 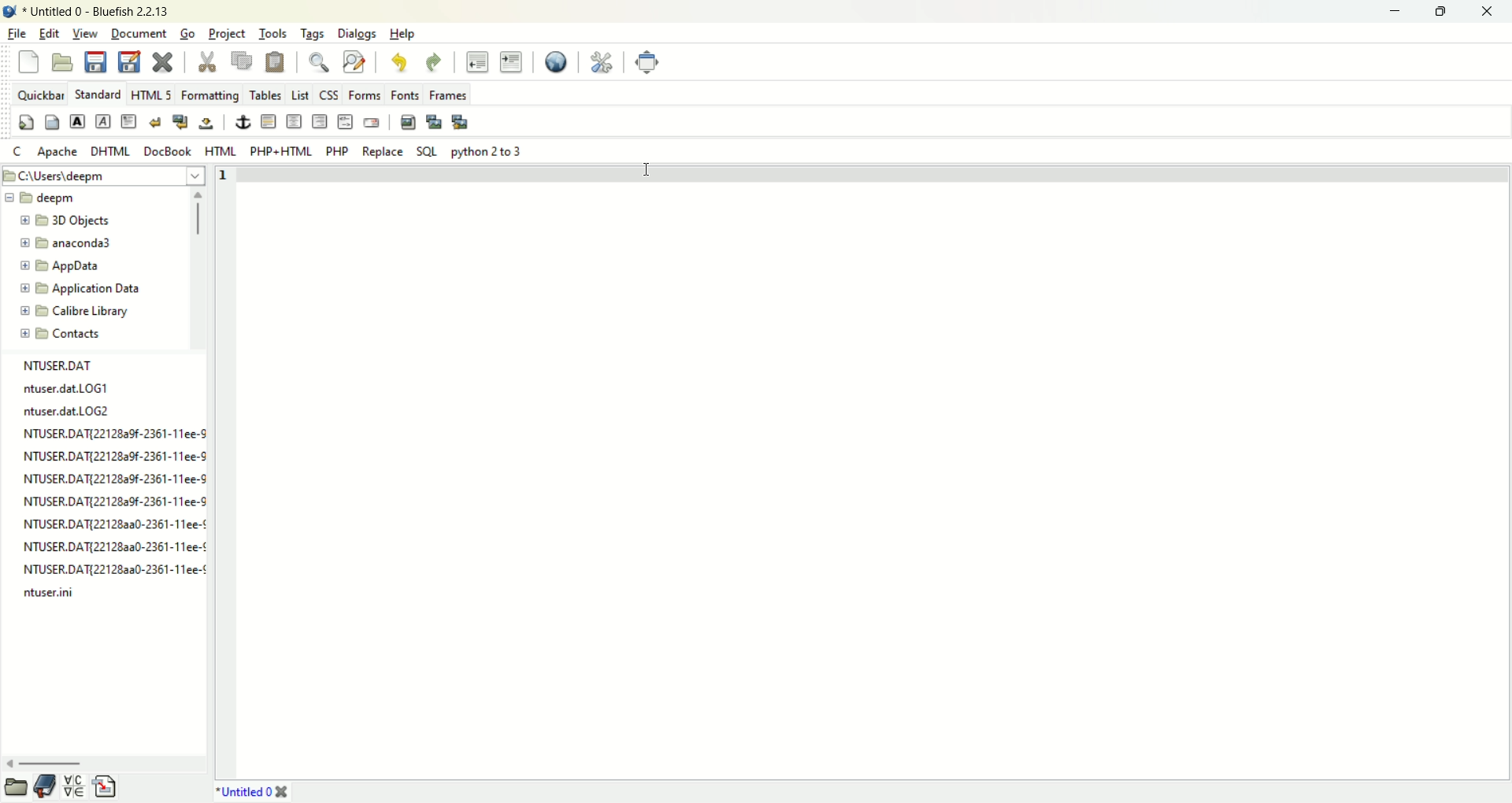 I want to click on NTUSER.DAT, so click(x=61, y=364).